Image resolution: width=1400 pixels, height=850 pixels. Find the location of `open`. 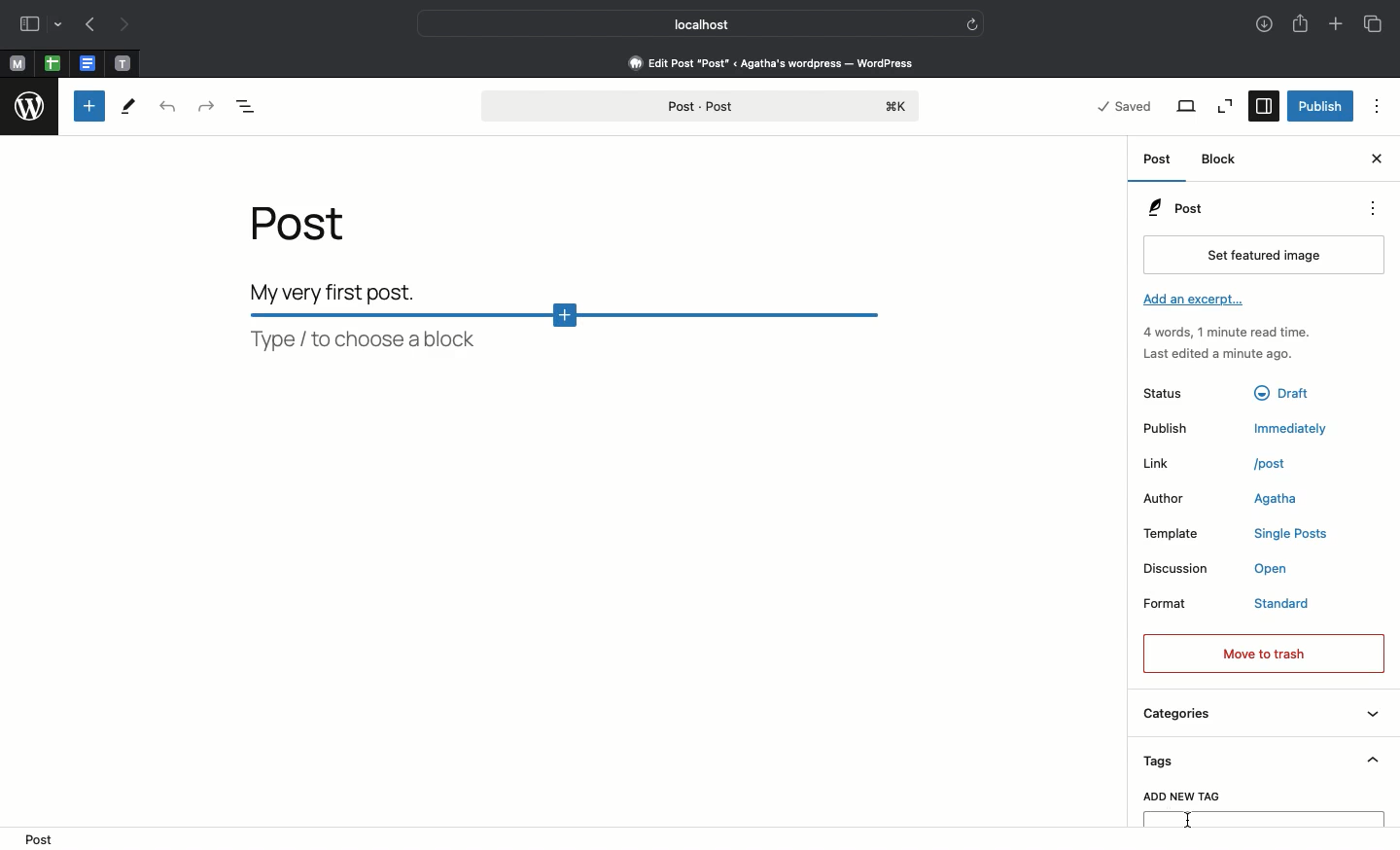

open is located at coordinates (1273, 568).